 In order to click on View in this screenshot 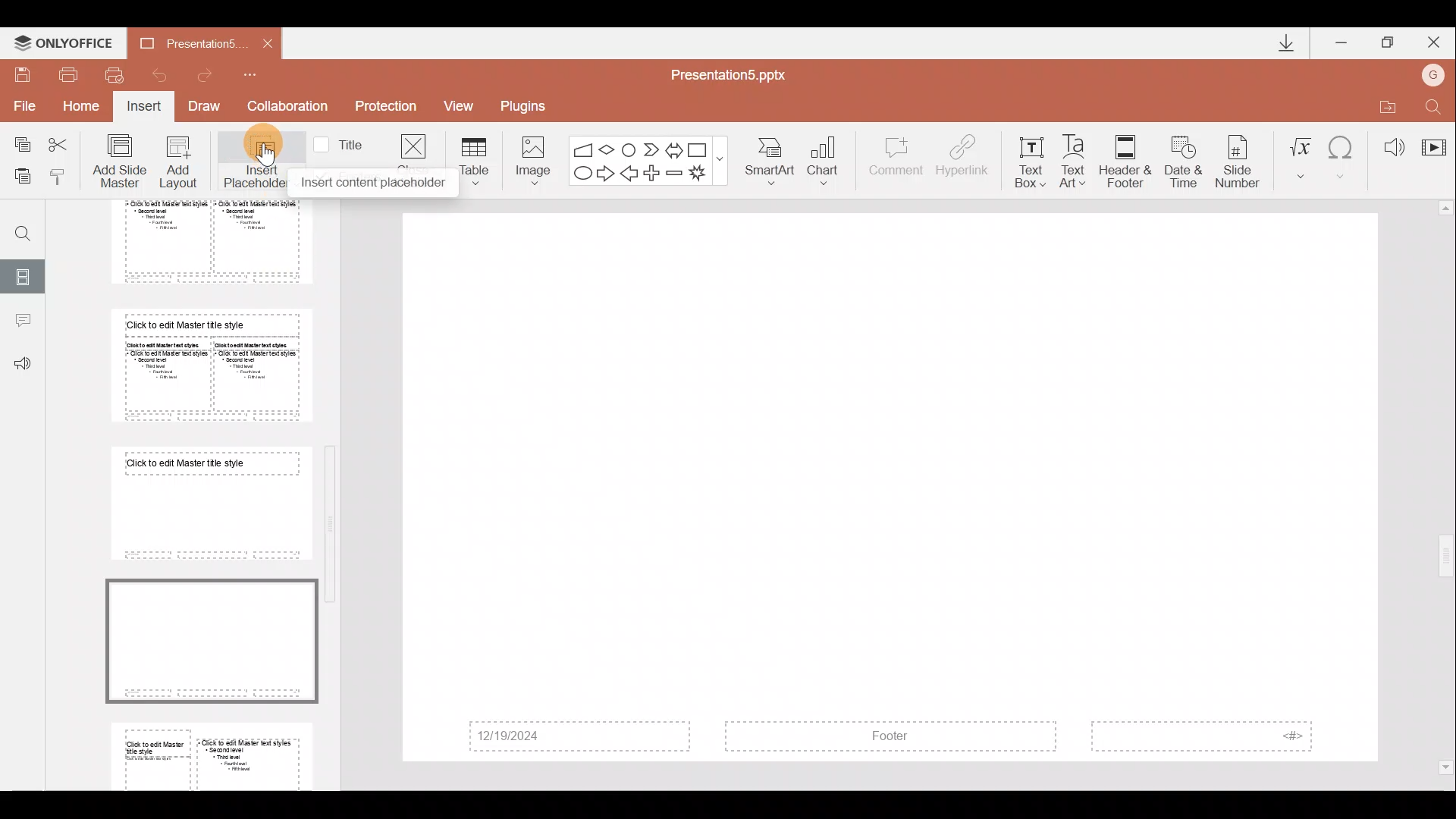, I will do `click(464, 105)`.